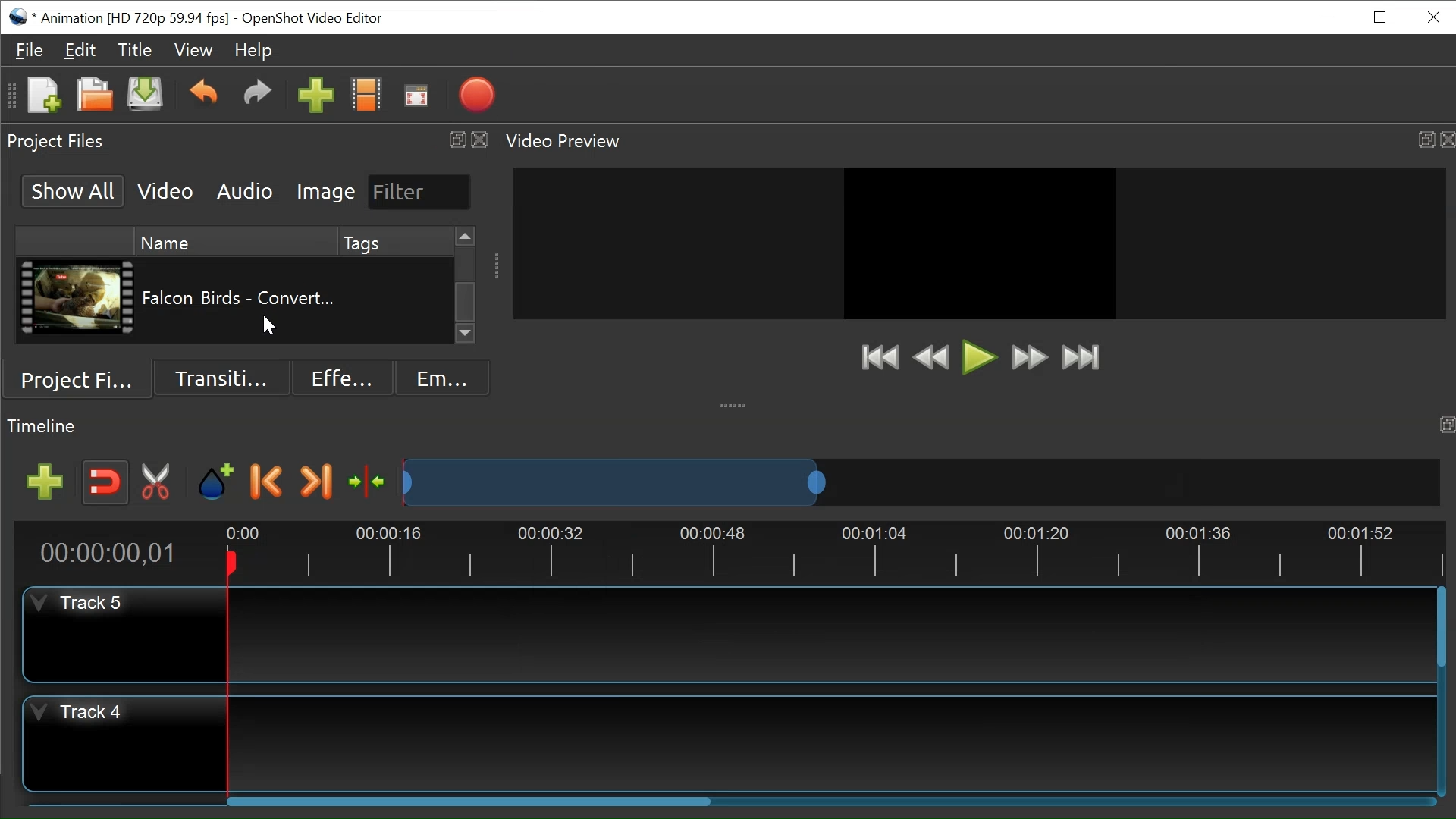 The width and height of the screenshot is (1456, 819). Describe the element at coordinates (80, 50) in the screenshot. I see `Edit` at that location.